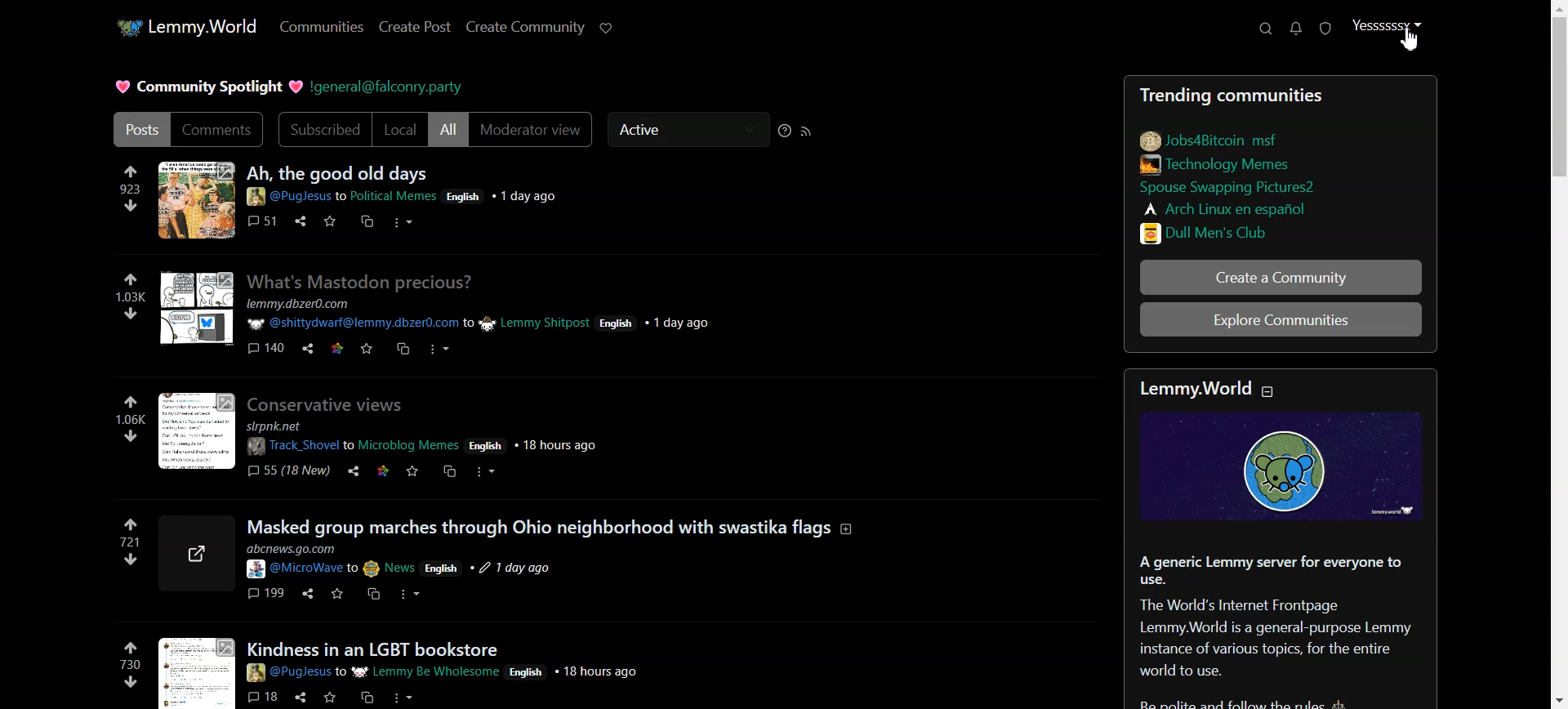 The height and width of the screenshot is (709, 1568). What do you see at coordinates (334, 347) in the screenshot?
I see `link` at bounding box center [334, 347].